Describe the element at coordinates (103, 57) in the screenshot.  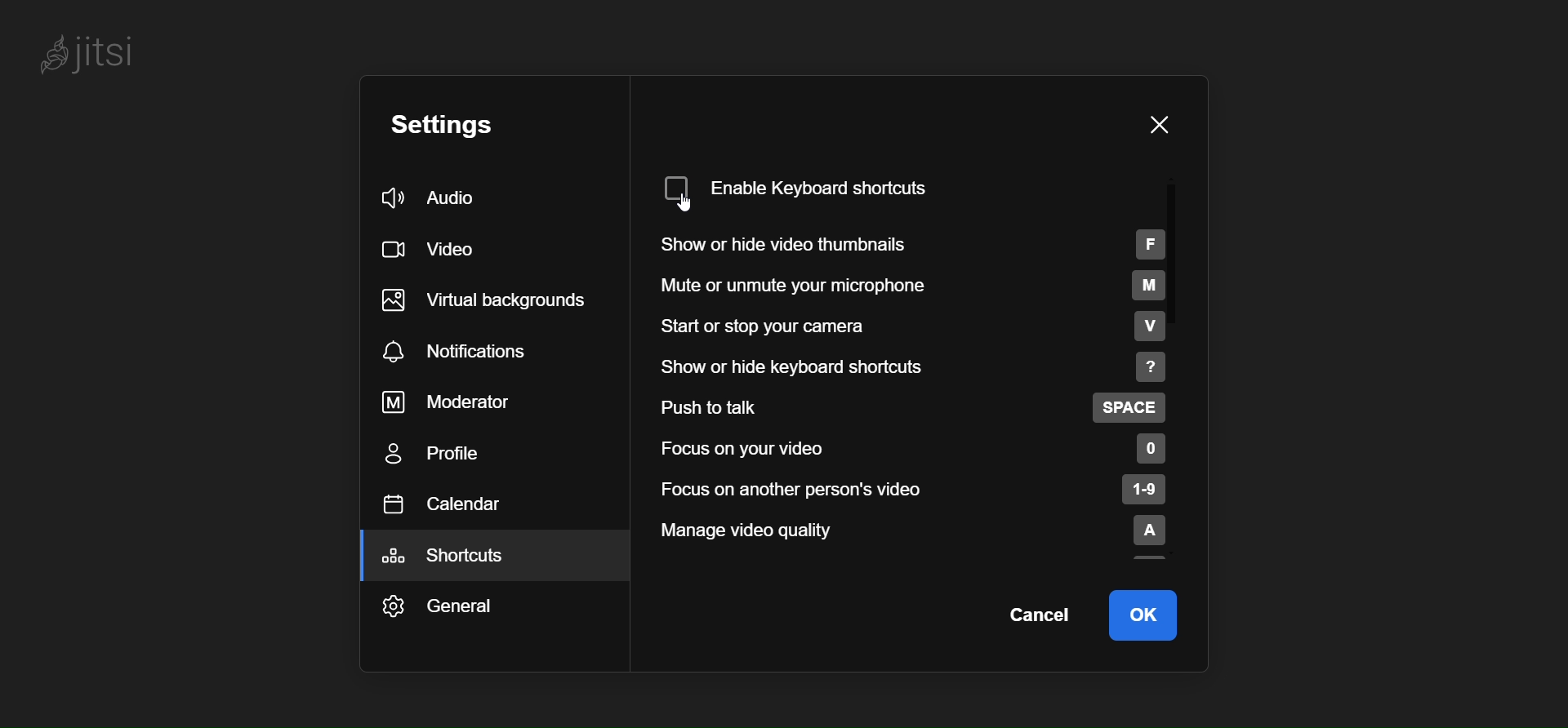
I see `jitsi` at that location.